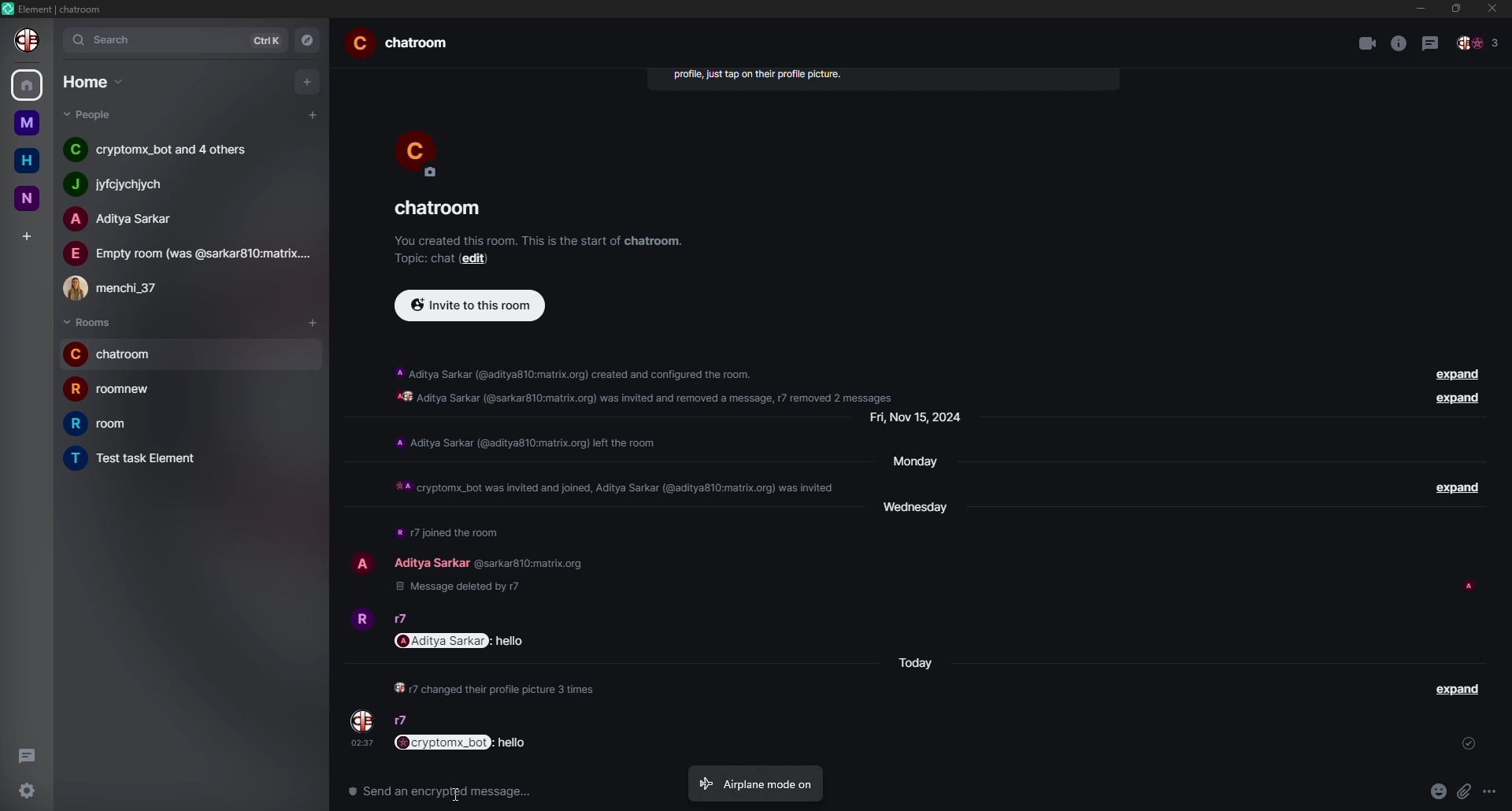 The width and height of the screenshot is (1512, 811). I want to click on people, so click(126, 183).